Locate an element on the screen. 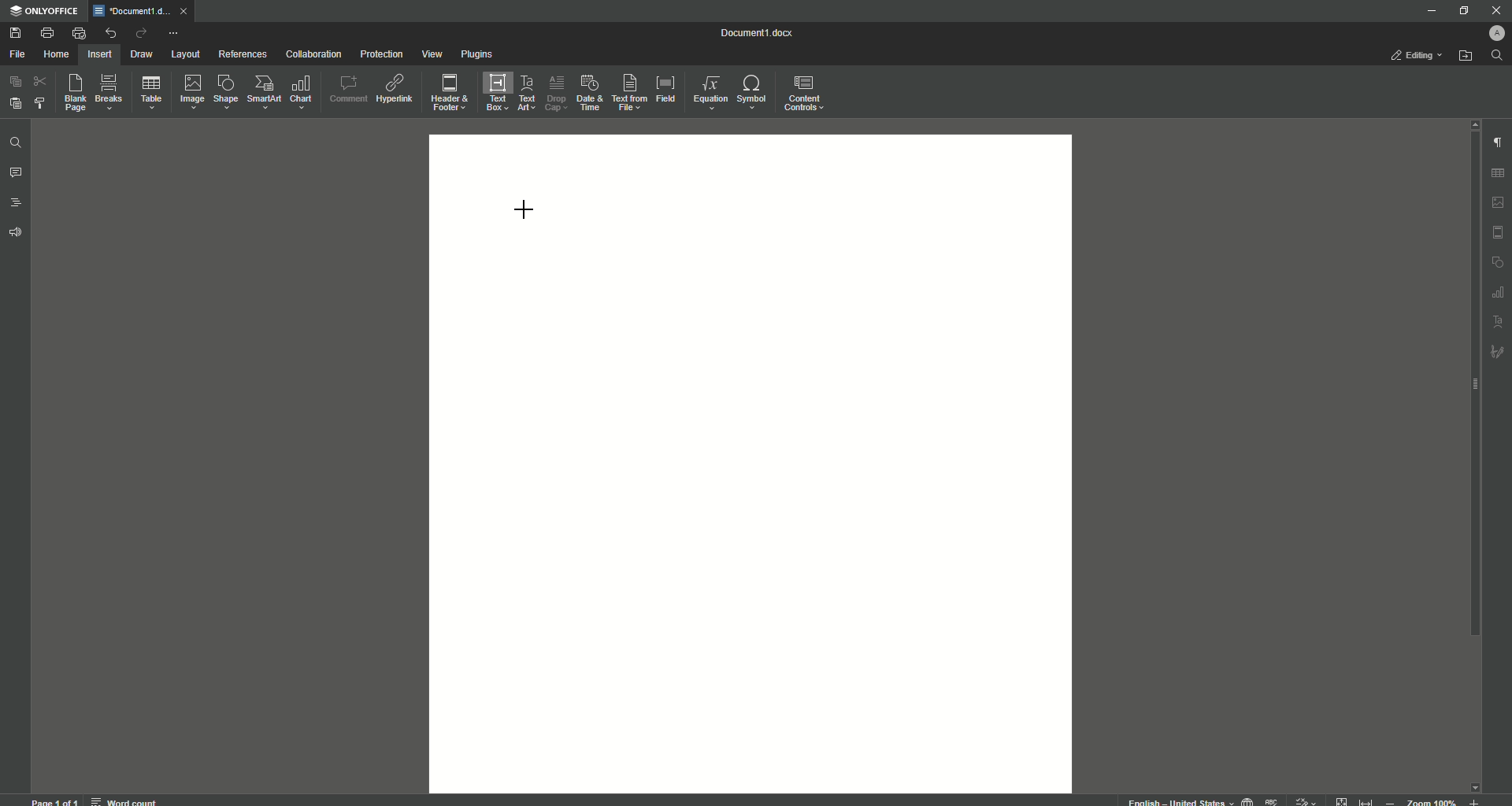 The width and height of the screenshot is (1512, 806). scroll up is located at coordinates (1471, 124).